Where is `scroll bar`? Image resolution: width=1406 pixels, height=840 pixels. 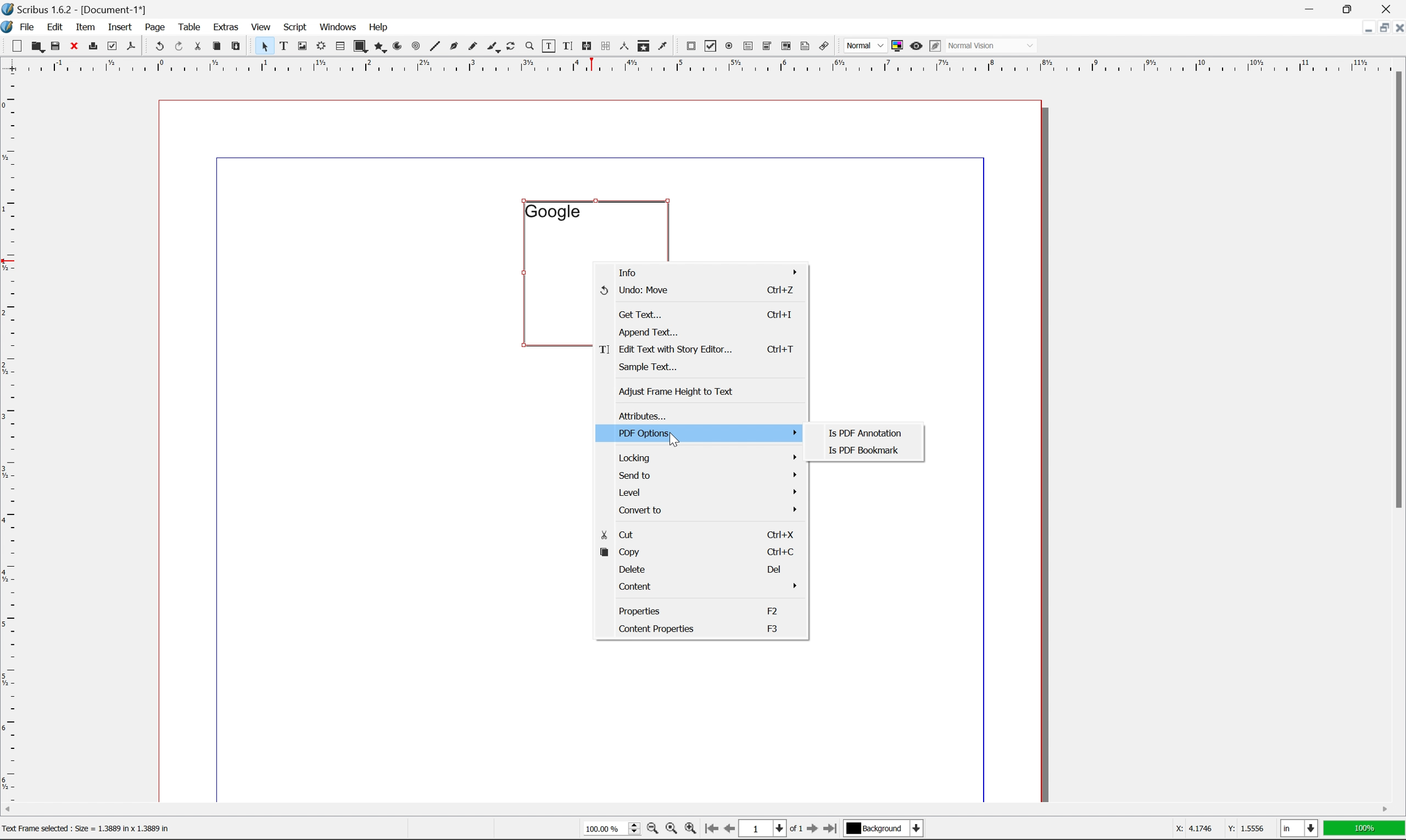
scroll bar is located at coordinates (696, 809).